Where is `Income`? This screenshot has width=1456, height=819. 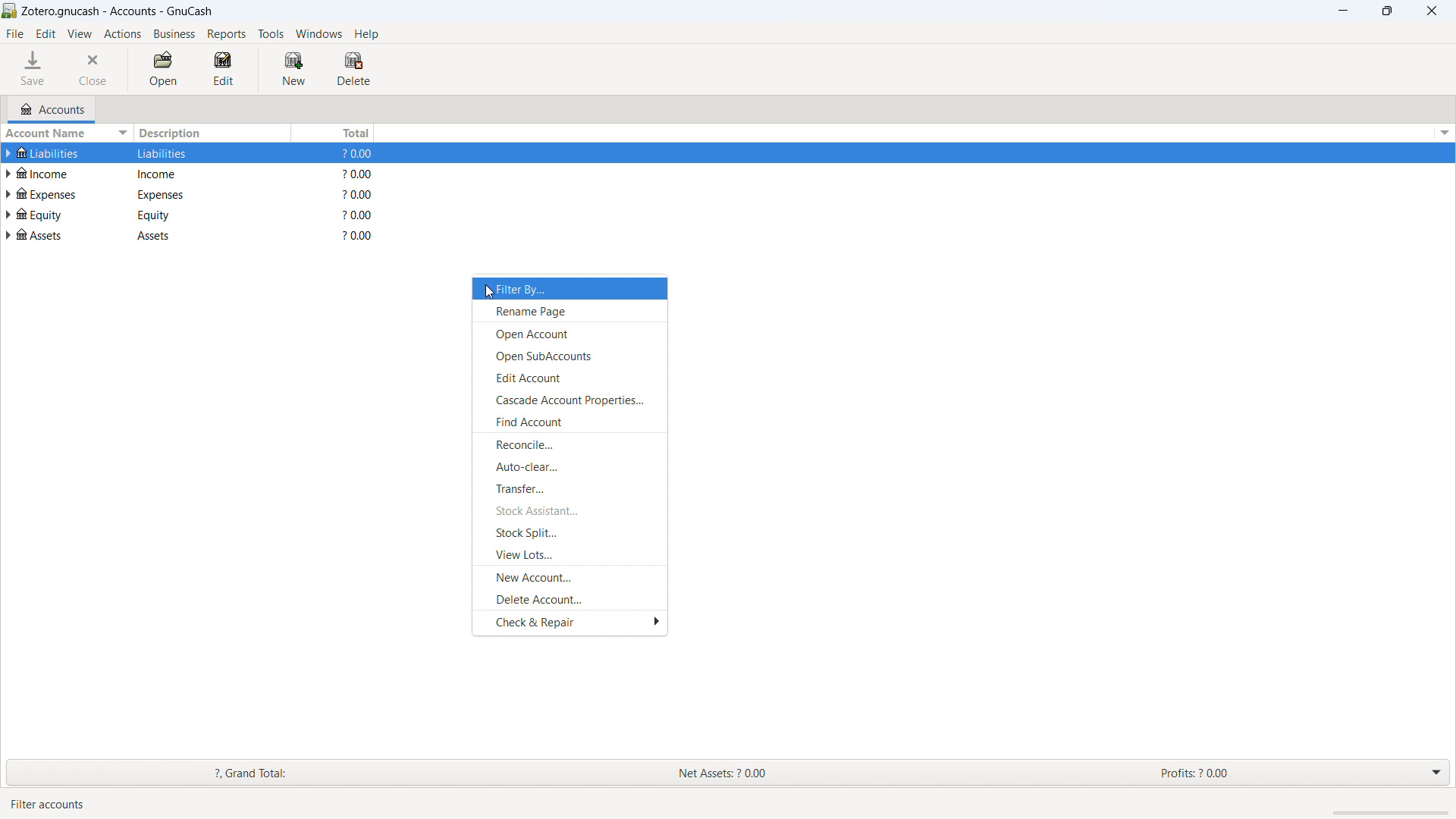
Income is located at coordinates (174, 173).